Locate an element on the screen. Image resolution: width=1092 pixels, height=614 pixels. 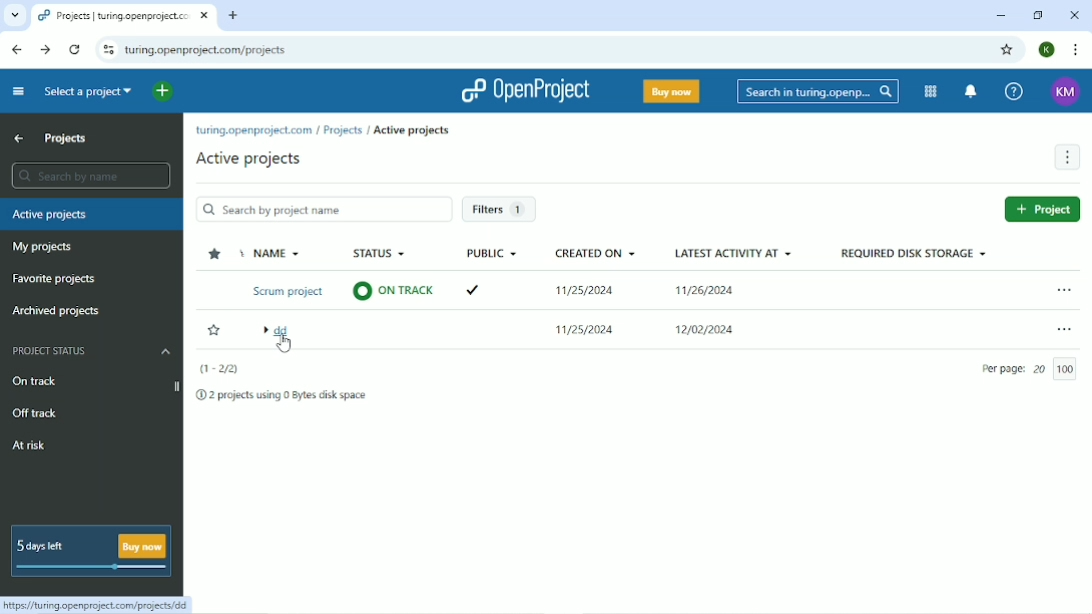
Latest activity at is located at coordinates (731, 252).